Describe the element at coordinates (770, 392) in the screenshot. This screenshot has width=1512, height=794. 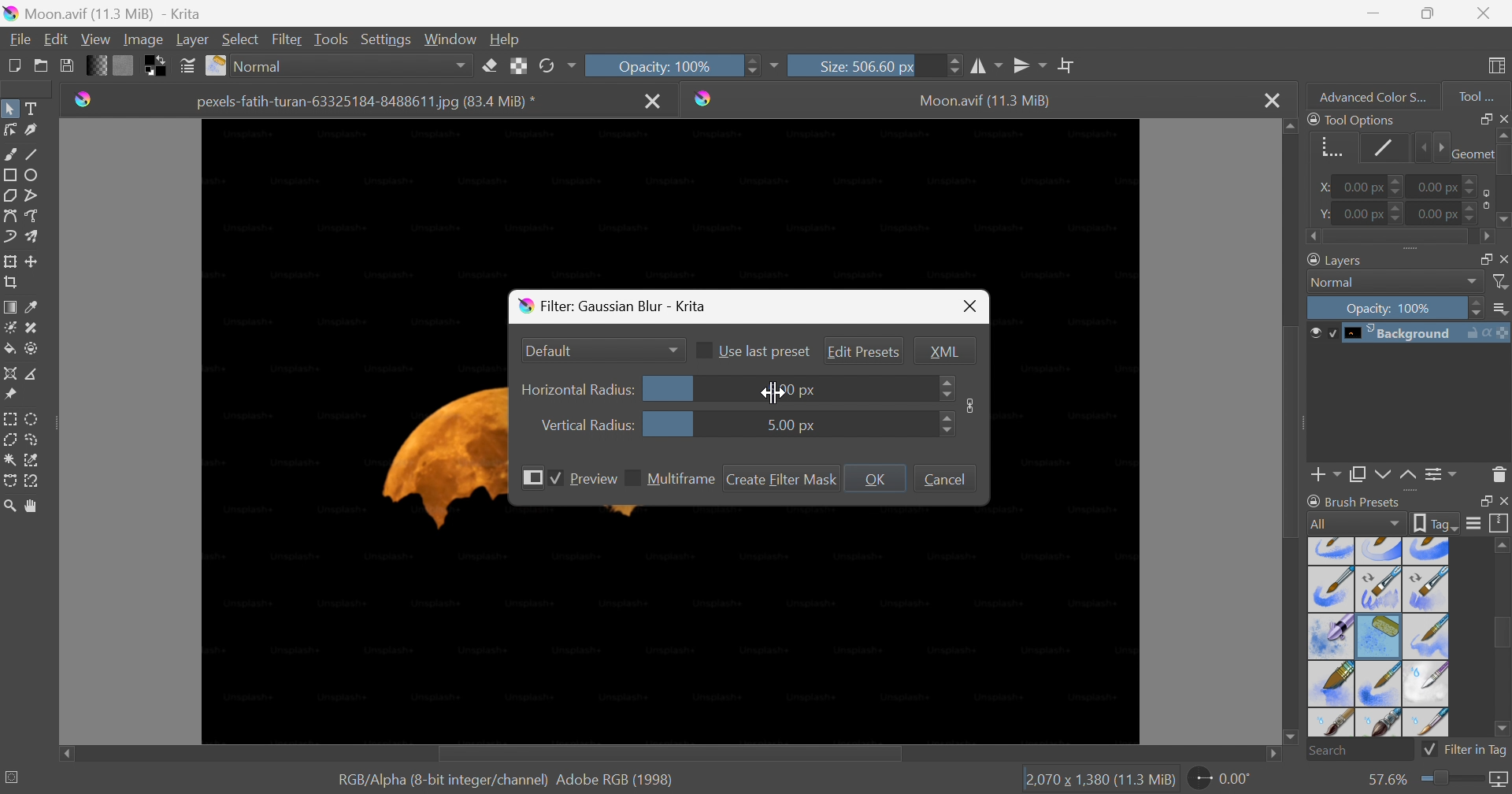
I see `Cursor` at that location.